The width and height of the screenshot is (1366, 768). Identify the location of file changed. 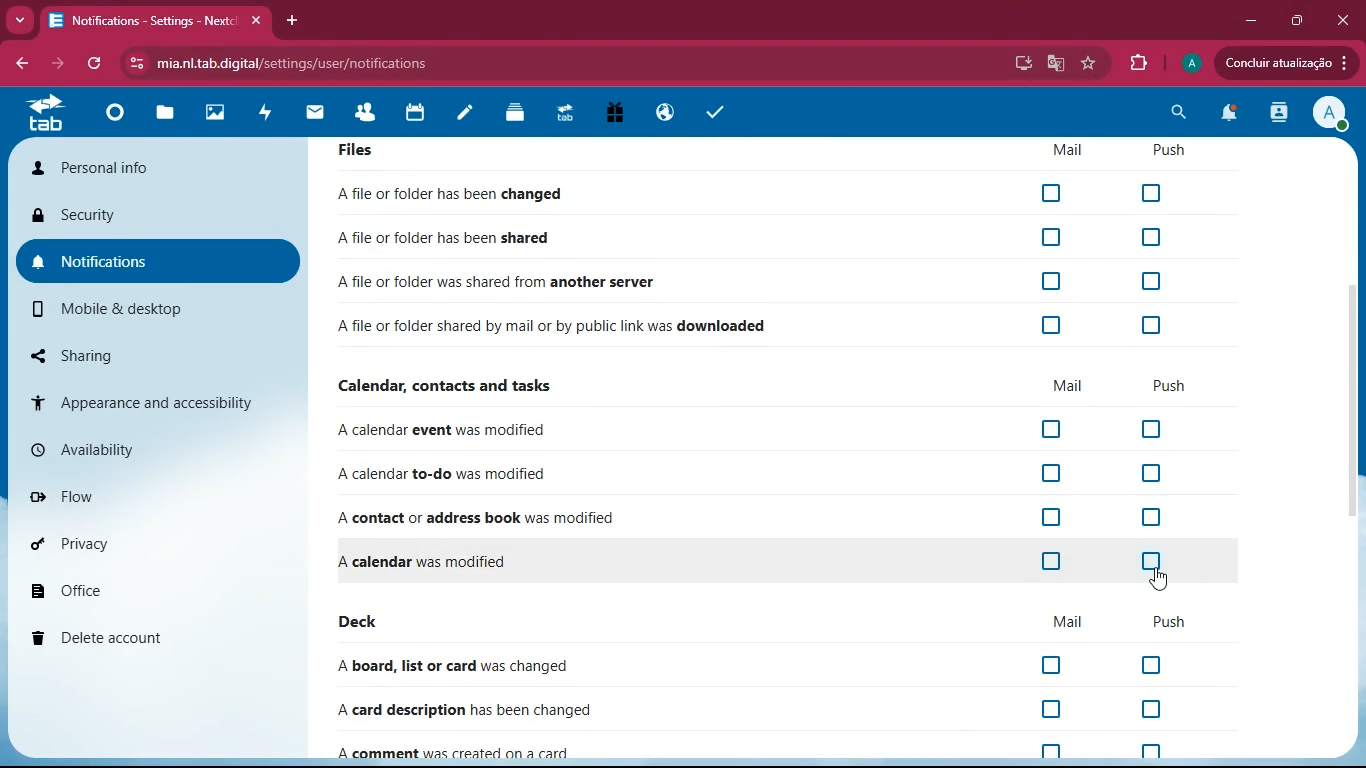
(454, 560).